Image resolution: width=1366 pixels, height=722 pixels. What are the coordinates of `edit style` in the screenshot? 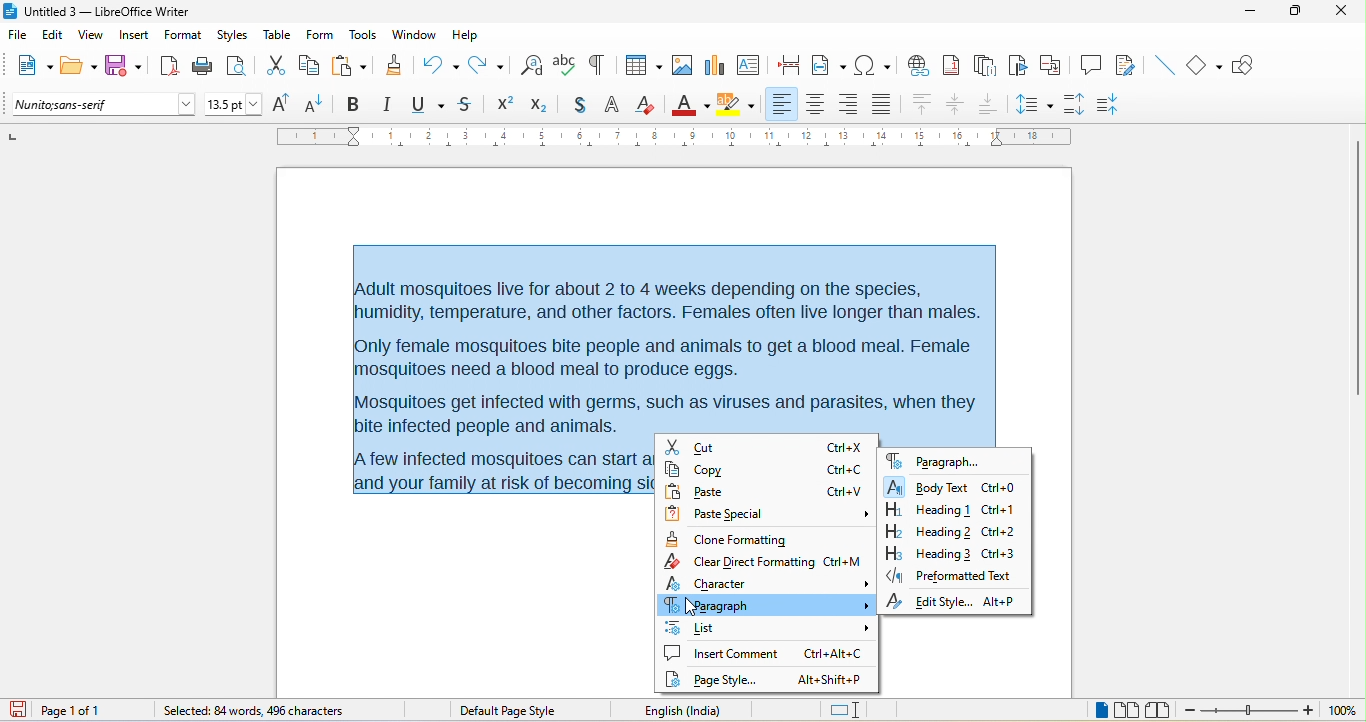 It's located at (928, 602).